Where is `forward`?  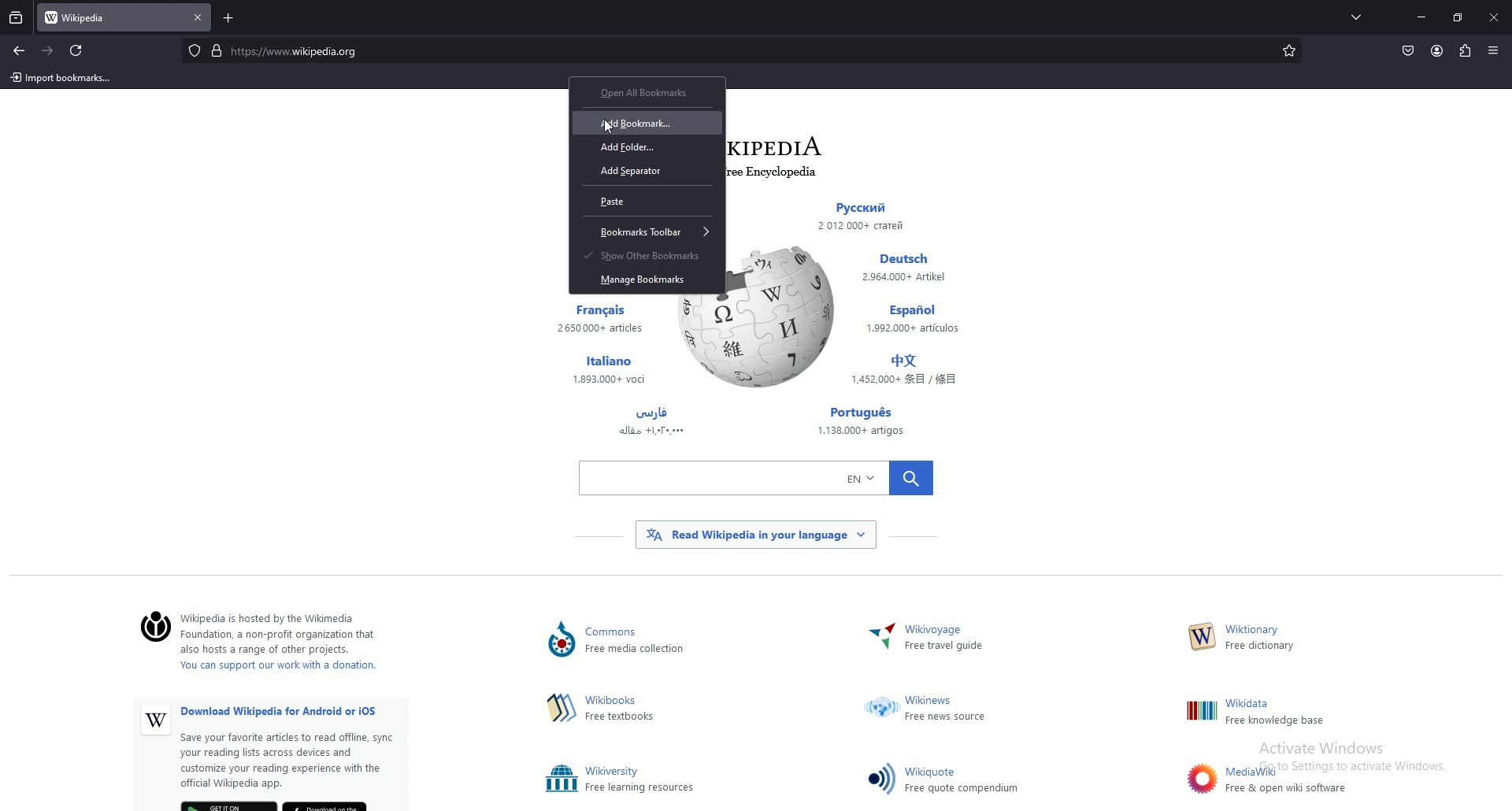 forward is located at coordinates (48, 51).